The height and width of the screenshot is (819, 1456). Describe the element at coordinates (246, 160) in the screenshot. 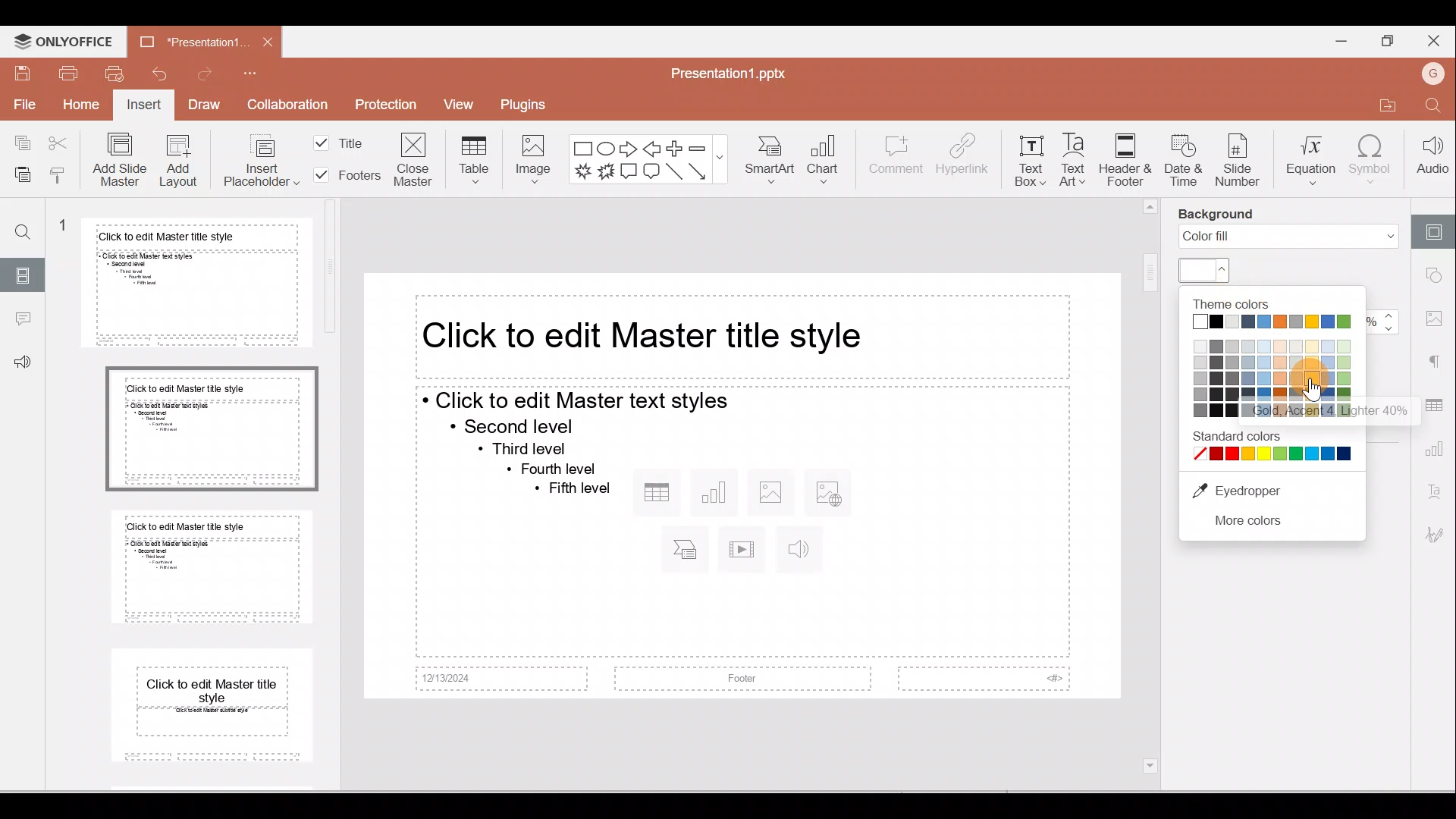

I see `Insert placeholder` at that location.